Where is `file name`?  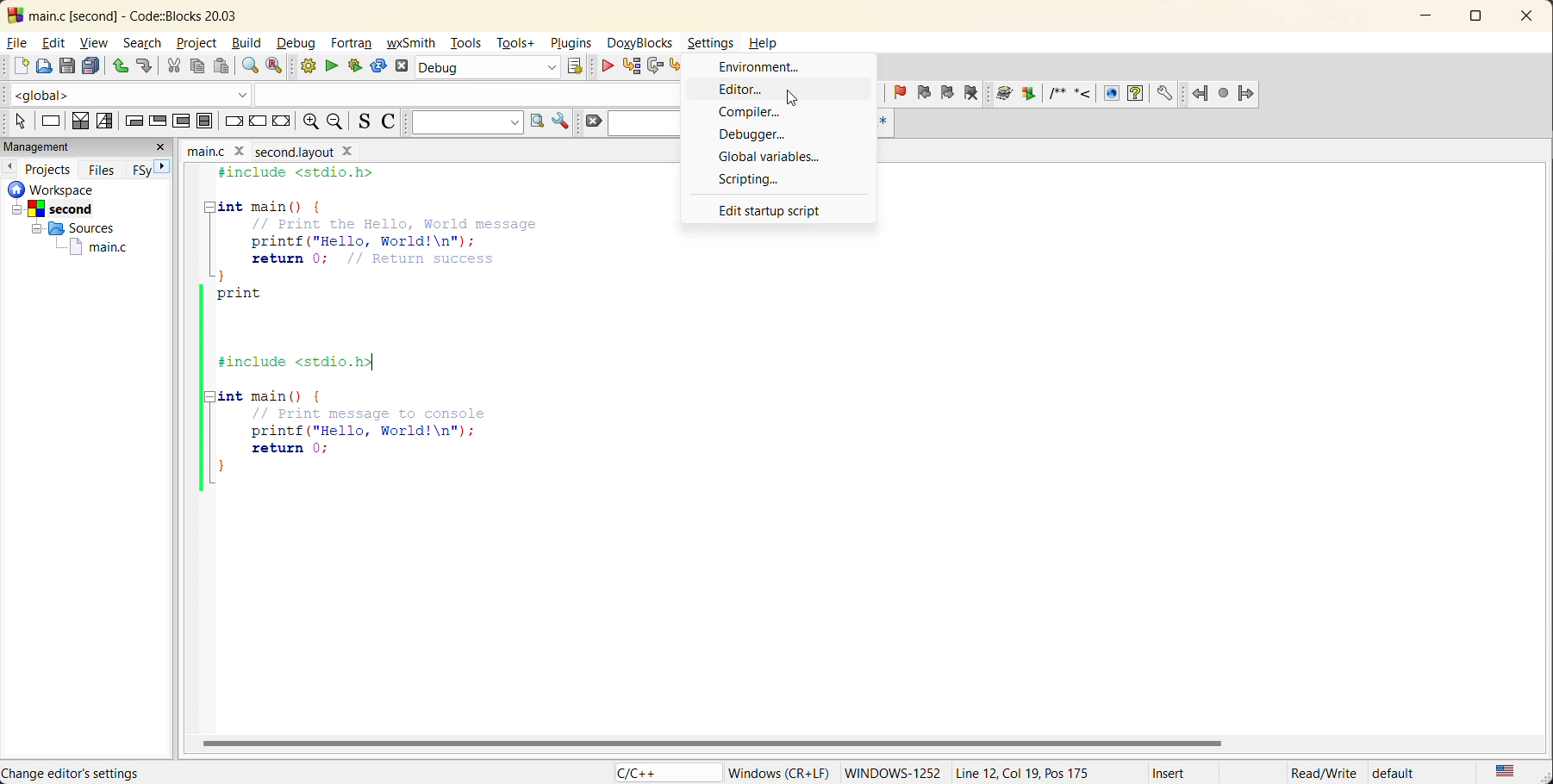 file name is located at coordinates (219, 149).